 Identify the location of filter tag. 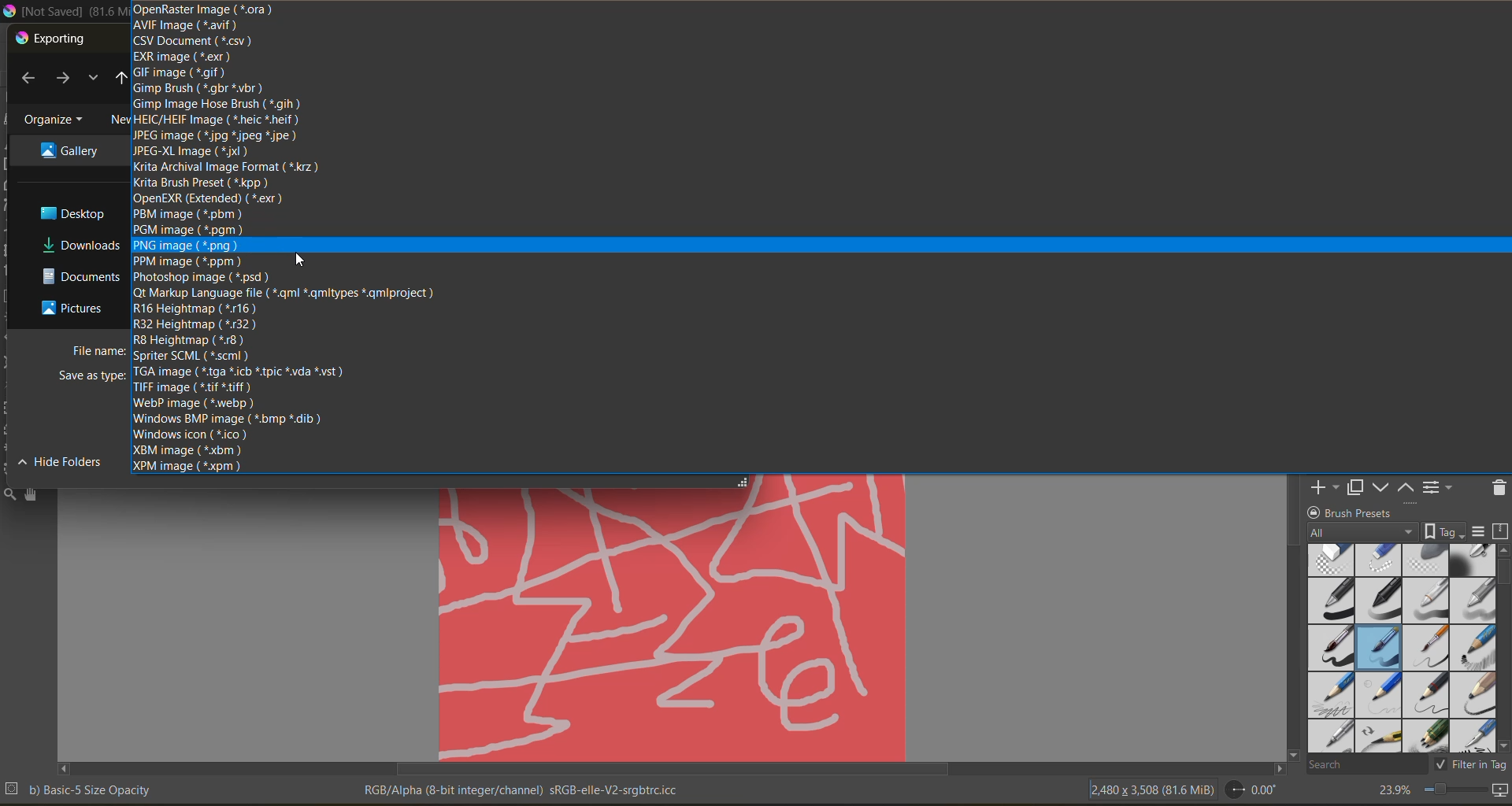
(1468, 763).